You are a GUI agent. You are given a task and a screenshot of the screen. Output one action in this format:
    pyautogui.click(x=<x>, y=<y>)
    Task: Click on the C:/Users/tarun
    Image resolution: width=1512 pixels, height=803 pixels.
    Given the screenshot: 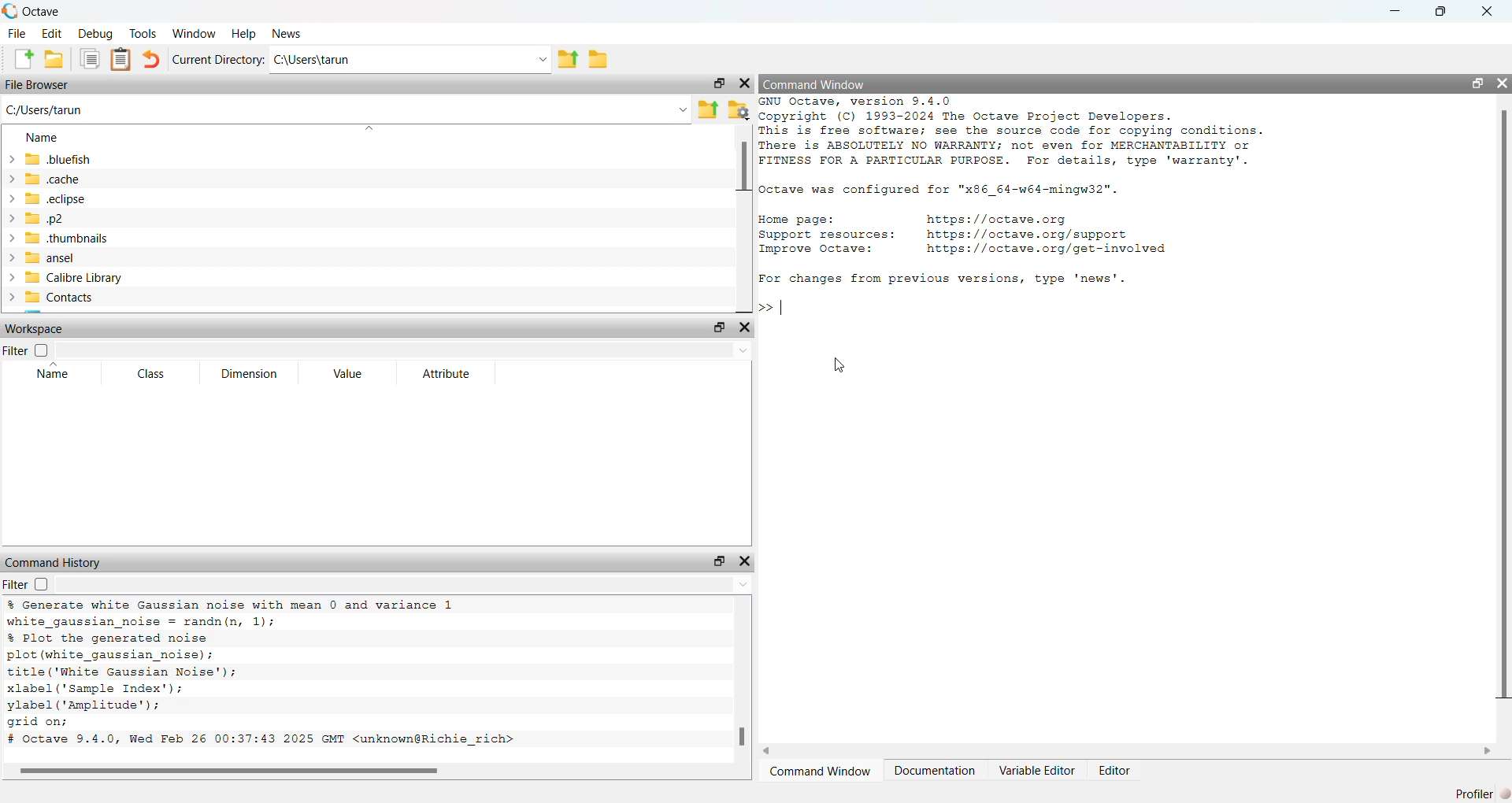 What is the action you would take?
    pyautogui.click(x=349, y=113)
    